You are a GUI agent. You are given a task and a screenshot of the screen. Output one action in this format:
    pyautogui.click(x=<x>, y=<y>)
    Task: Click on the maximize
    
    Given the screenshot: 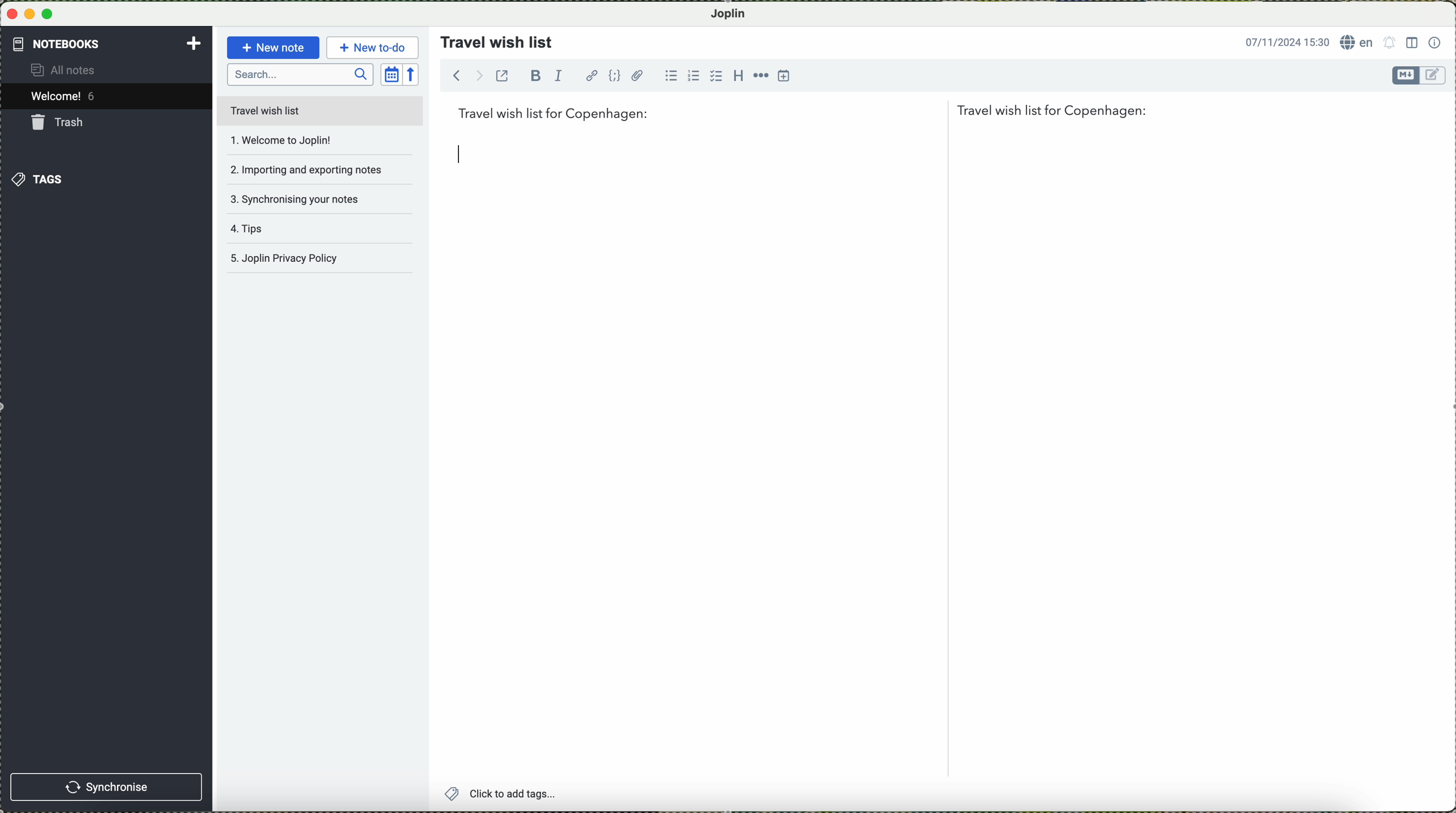 What is the action you would take?
    pyautogui.click(x=50, y=14)
    